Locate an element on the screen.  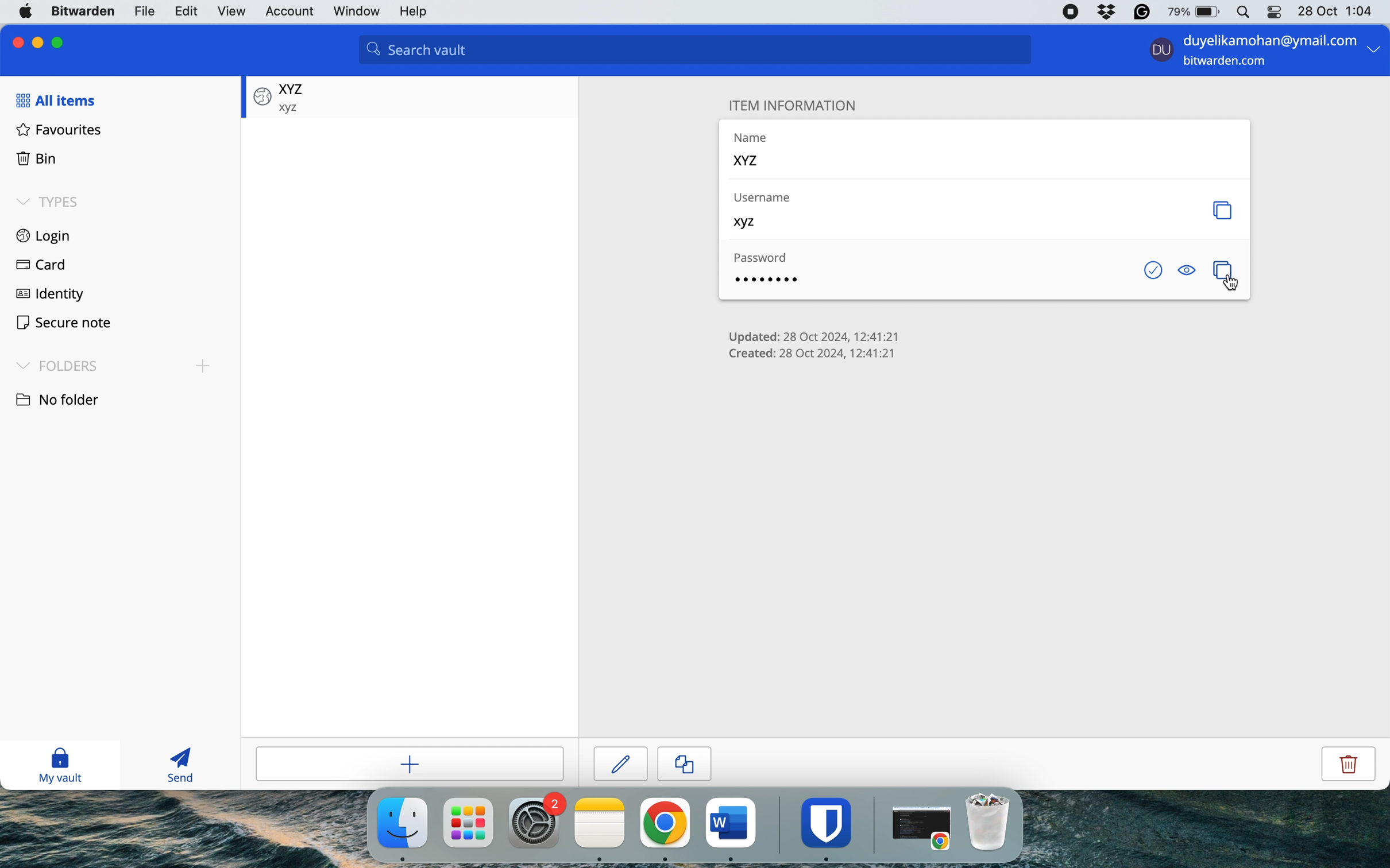
launchpad is located at coordinates (468, 822).